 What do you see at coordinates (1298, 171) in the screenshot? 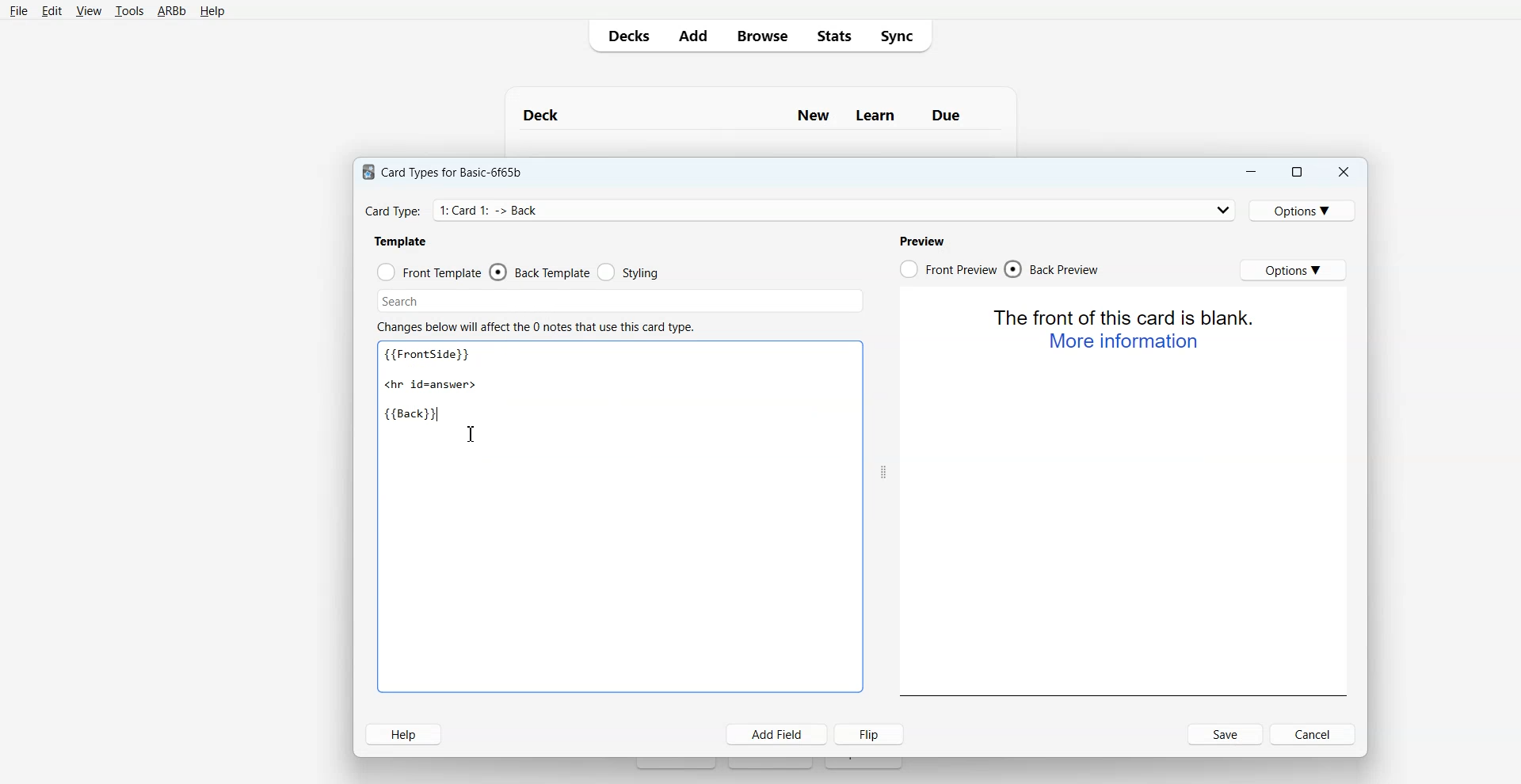
I see `Maximize` at bounding box center [1298, 171].